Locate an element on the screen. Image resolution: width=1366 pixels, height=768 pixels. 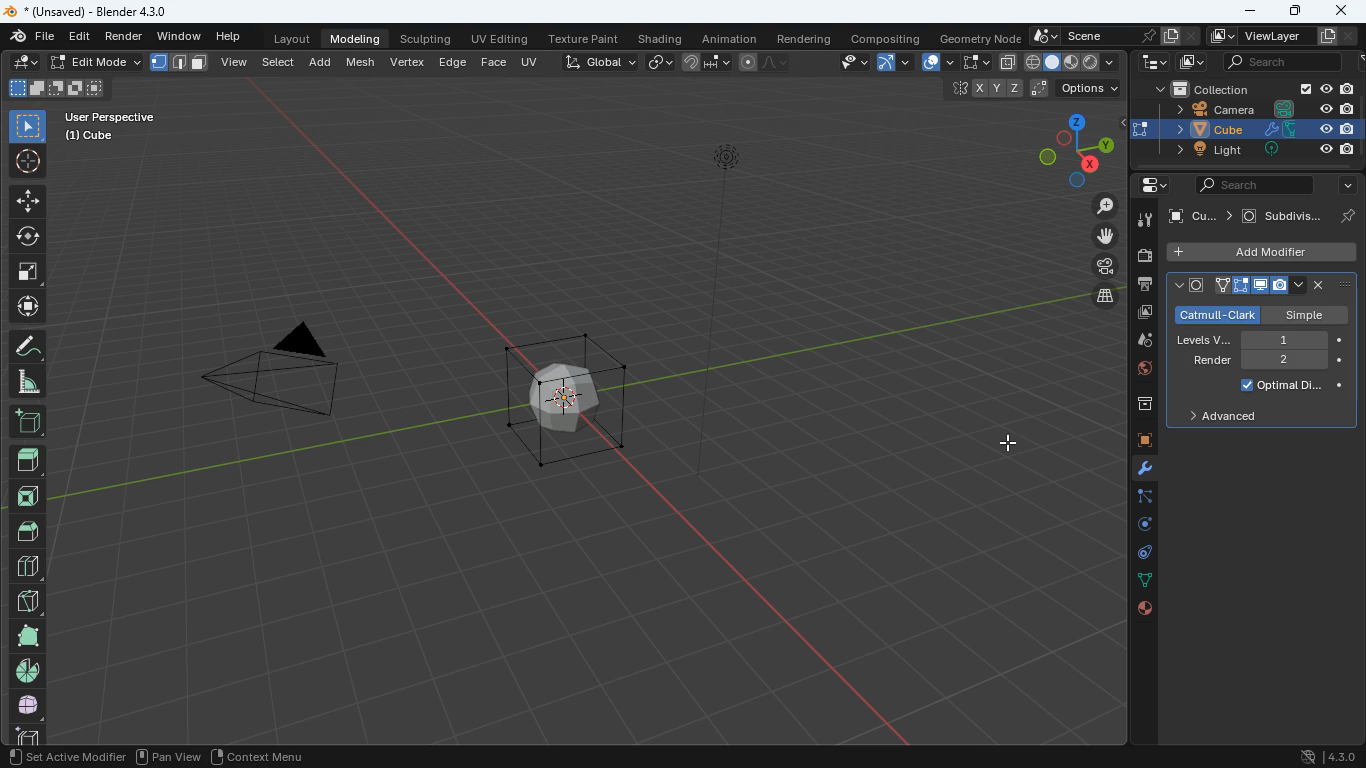
arc is located at coordinates (892, 62).